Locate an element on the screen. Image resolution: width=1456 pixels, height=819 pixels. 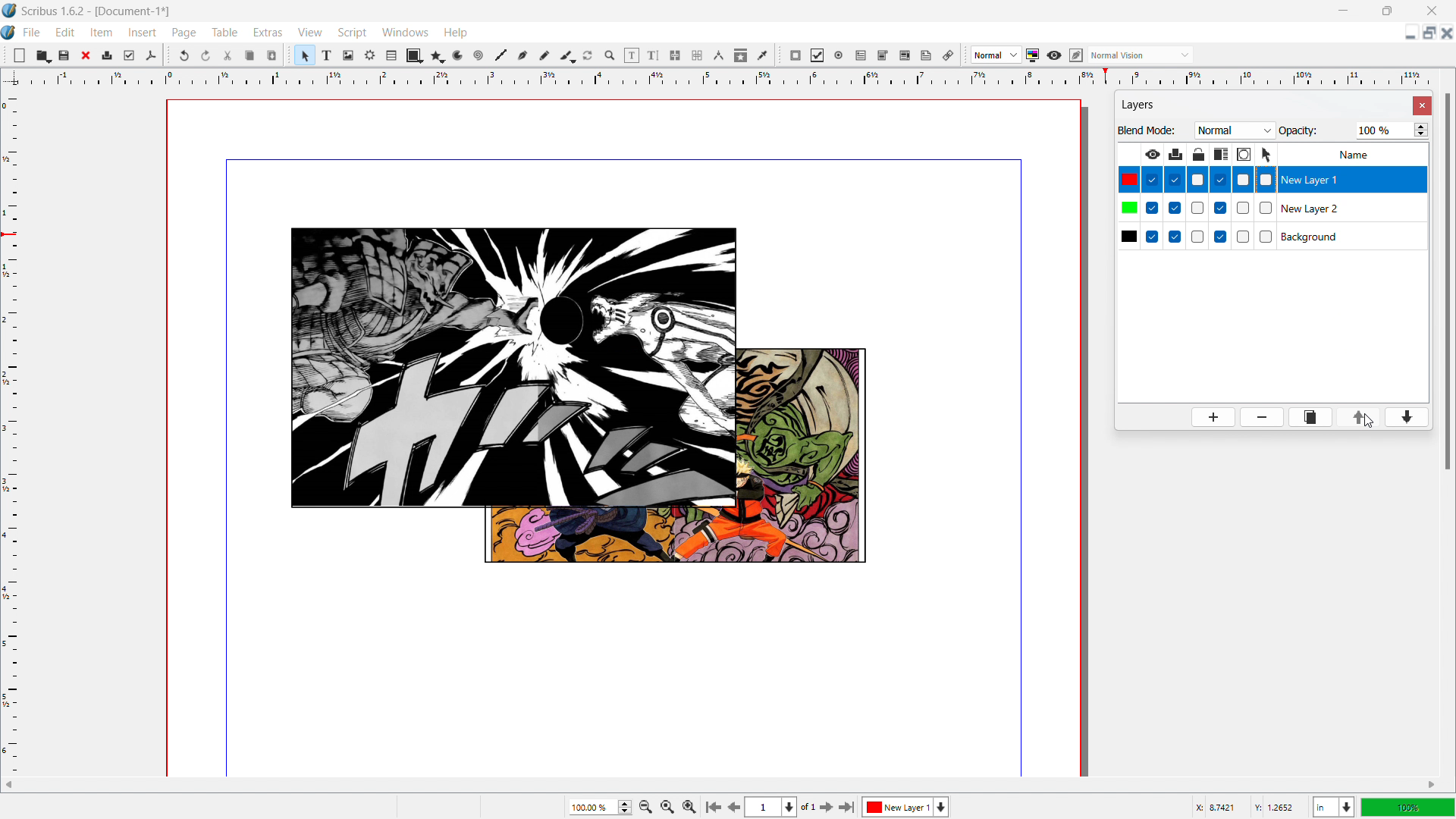
rotate item is located at coordinates (589, 55).